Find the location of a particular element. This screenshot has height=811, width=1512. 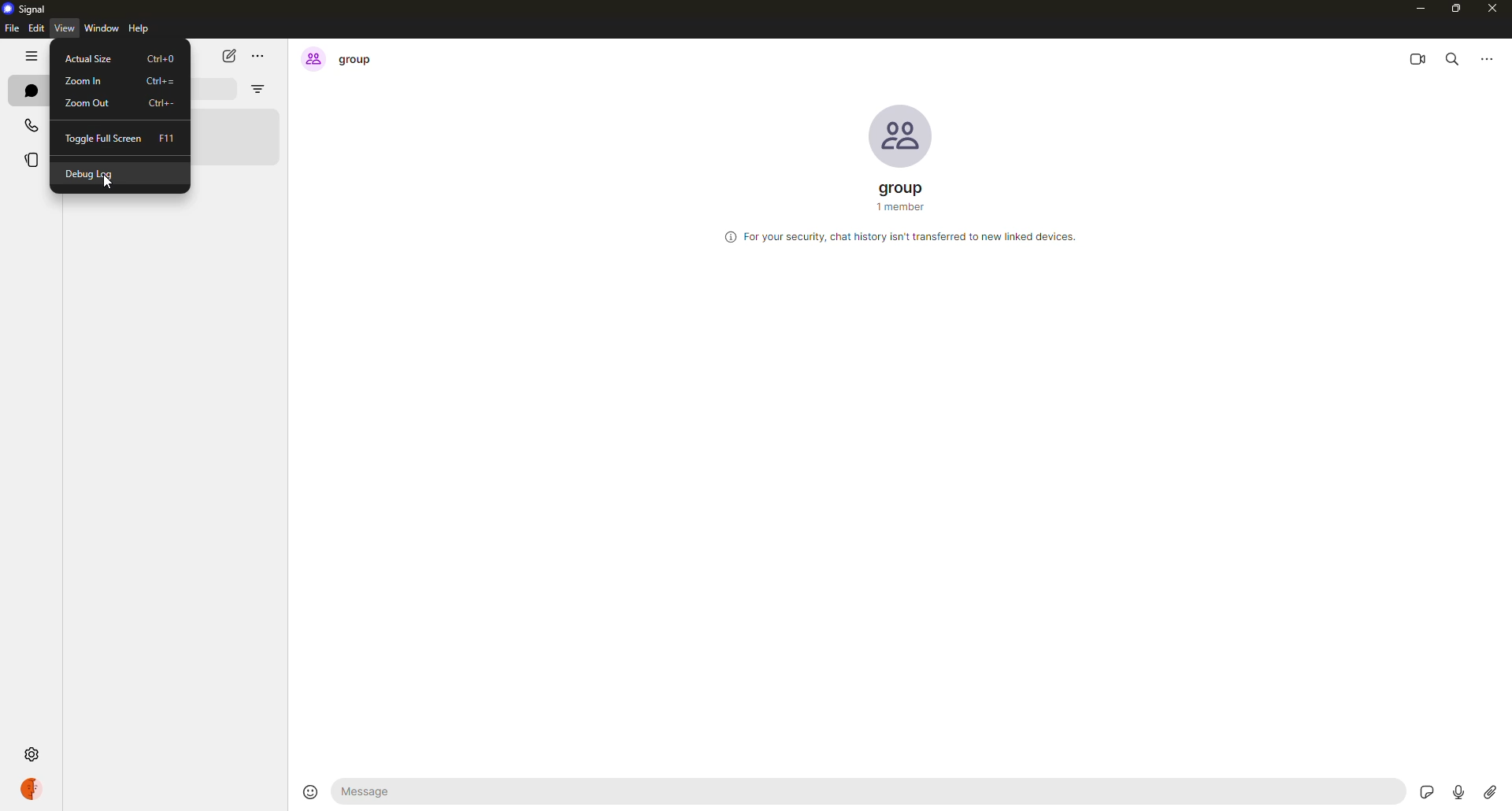

record is located at coordinates (1456, 791).